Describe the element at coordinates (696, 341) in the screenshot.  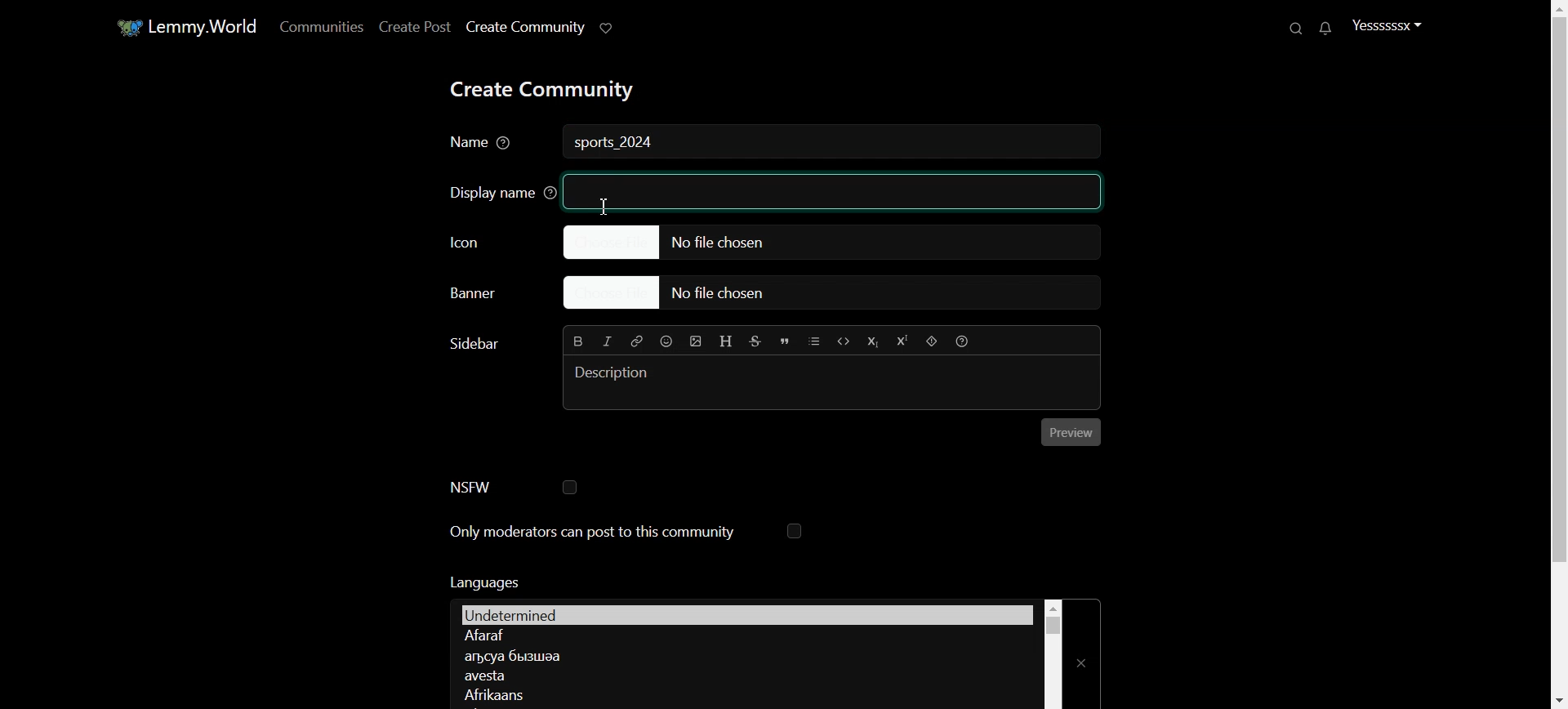
I see `Insert Picture` at that location.